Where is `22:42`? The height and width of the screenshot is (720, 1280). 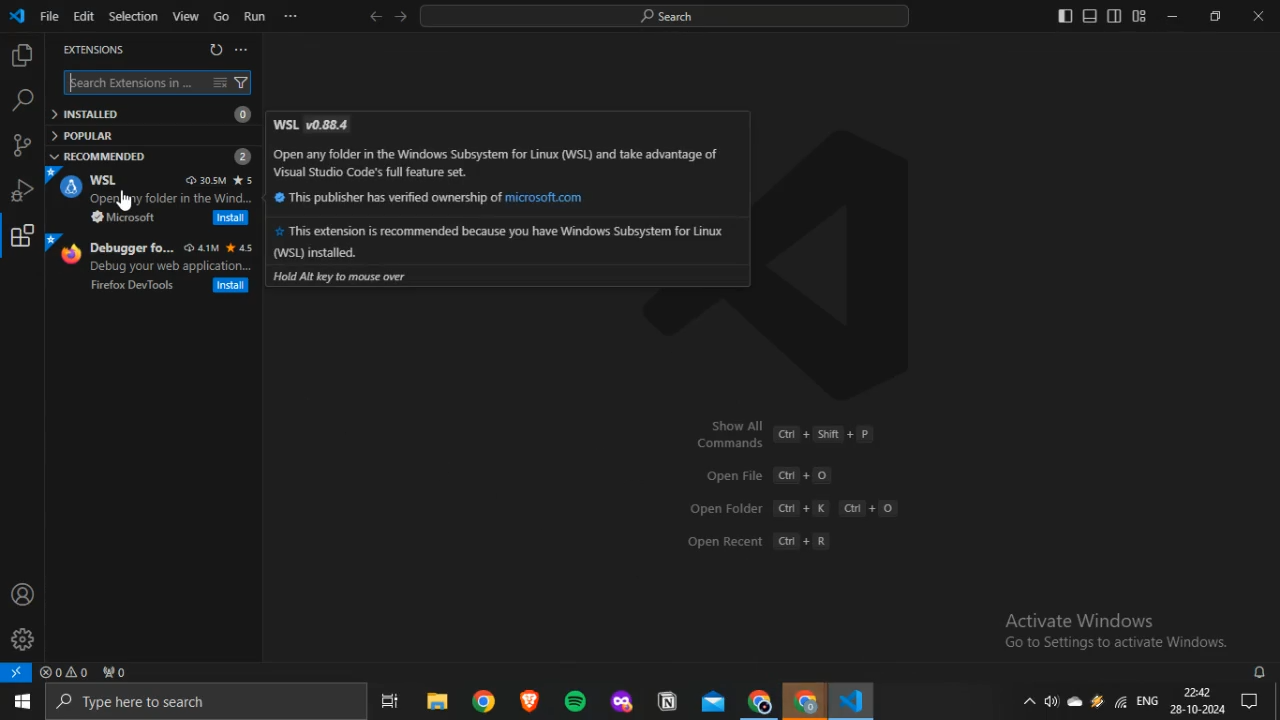
22:42 is located at coordinates (1196, 690).